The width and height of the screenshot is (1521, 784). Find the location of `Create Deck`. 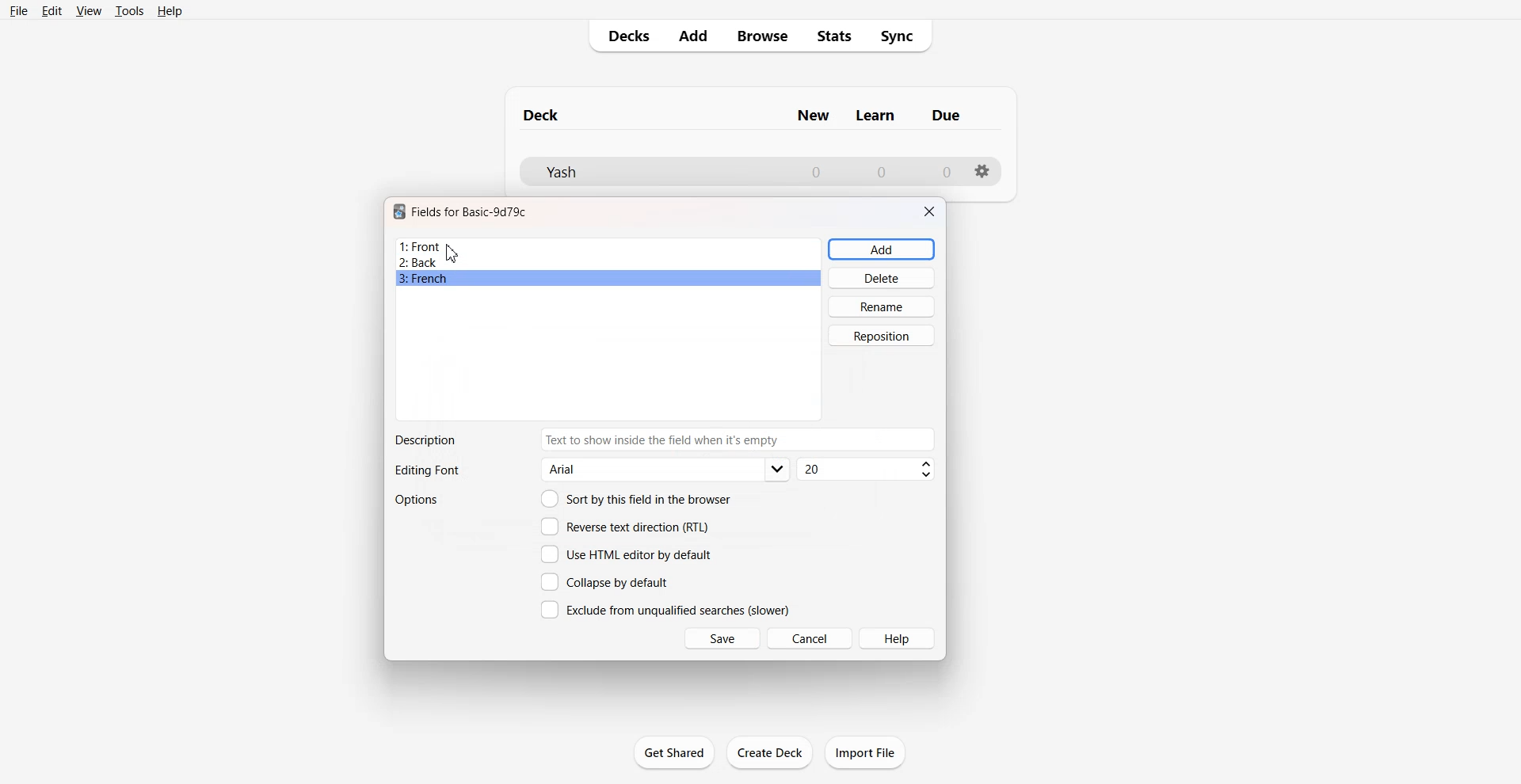

Create Deck is located at coordinates (771, 752).